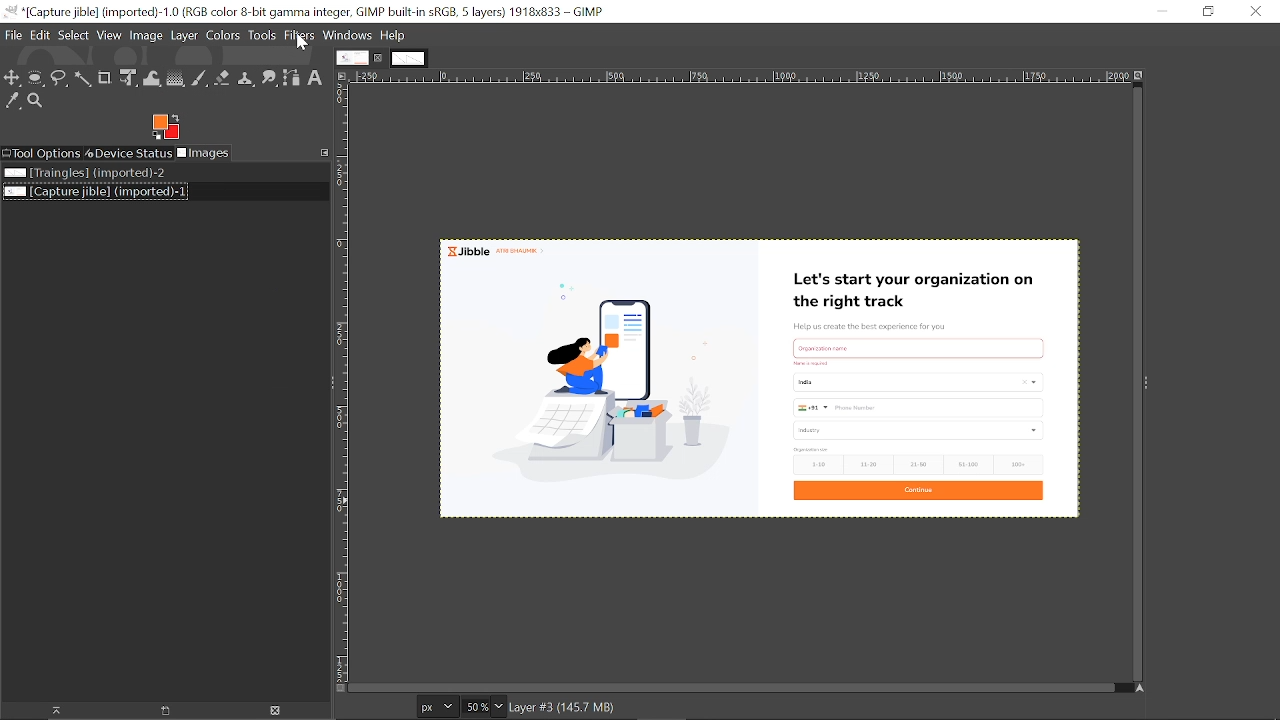 The height and width of the screenshot is (720, 1280). I want to click on Configure this tab, so click(321, 152).